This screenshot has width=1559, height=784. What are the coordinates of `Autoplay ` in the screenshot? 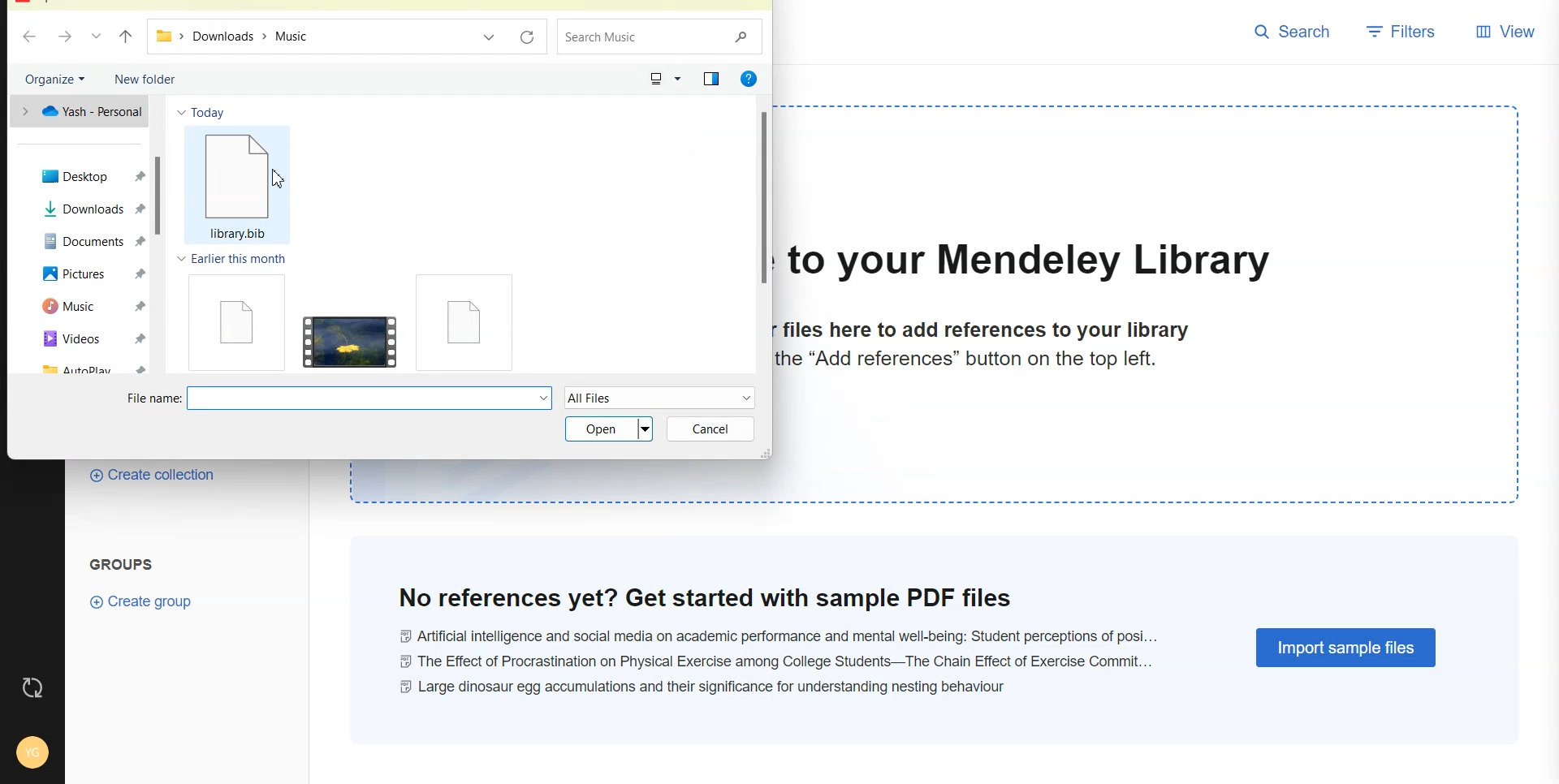 It's located at (80, 365).